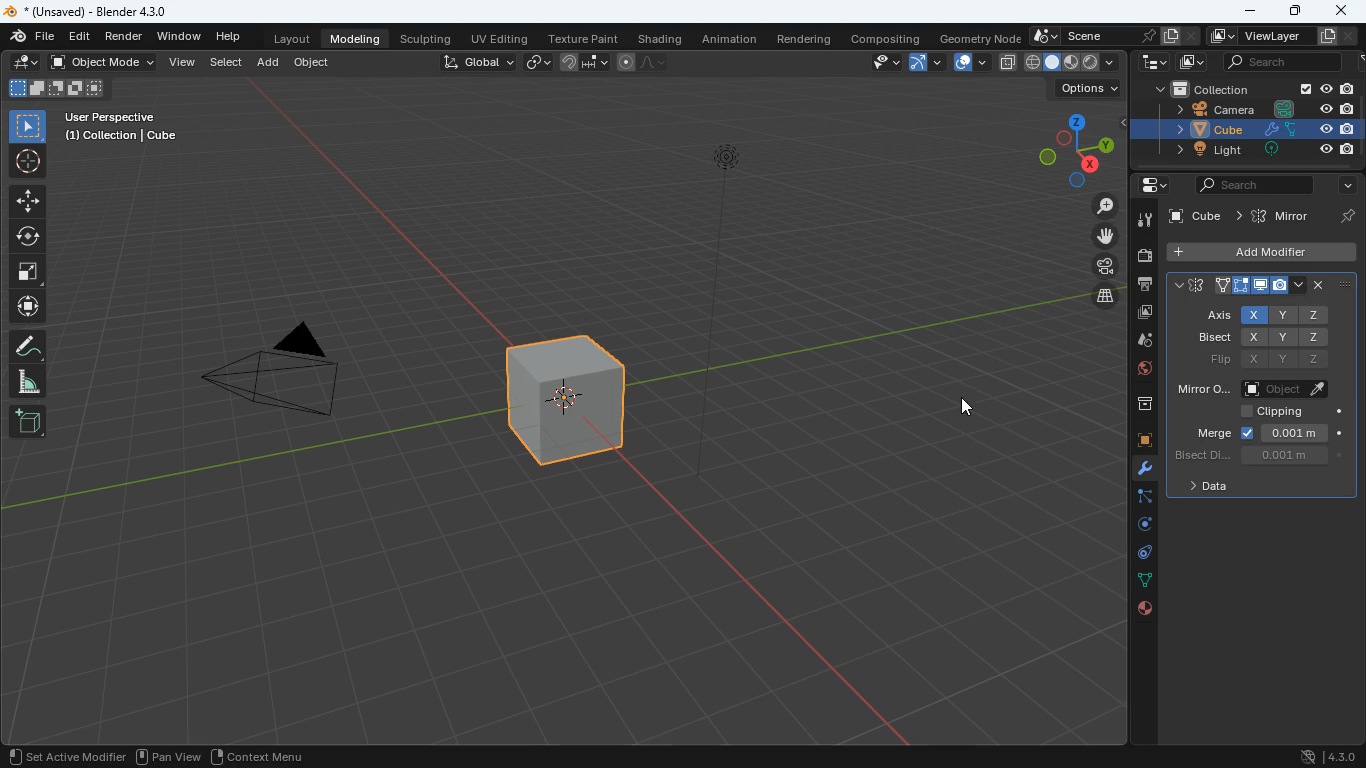 The image size is (1366, 768). What do you see at coordinates (9, 12) in the screenshot?
I see `blender` at bounding box center [9, 12].